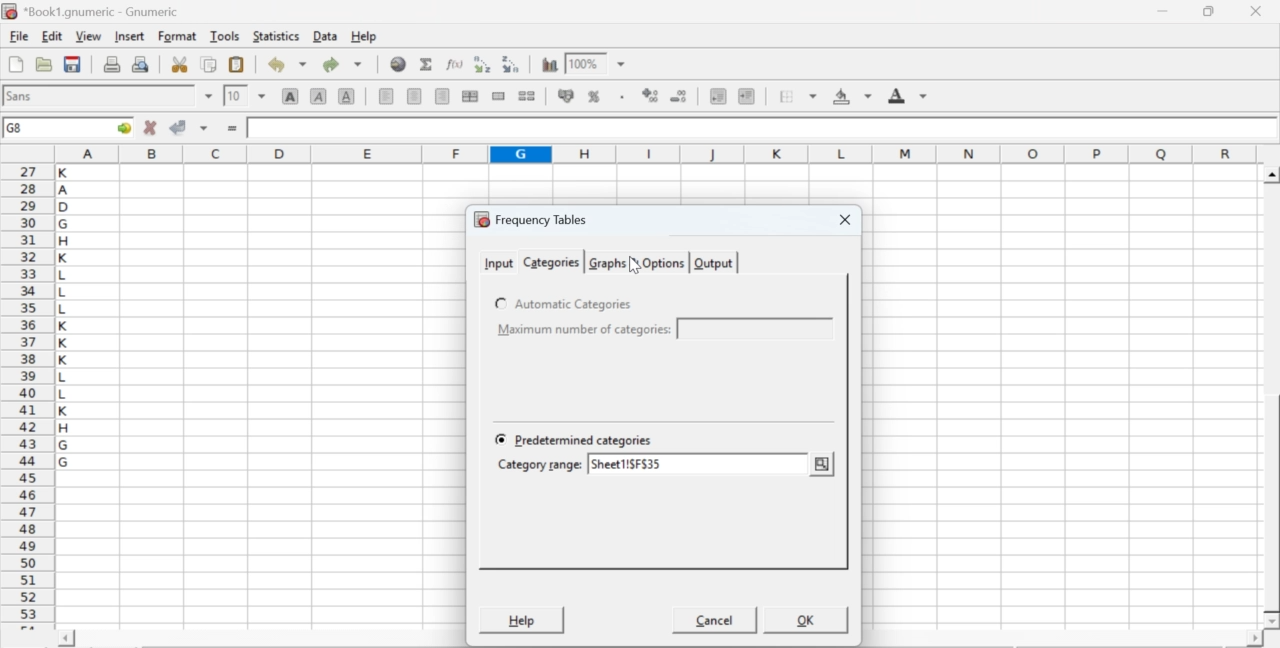 The height and width of the screenshot is (648, 1280). I want to click on Predetermined categories, so click(580, 439).